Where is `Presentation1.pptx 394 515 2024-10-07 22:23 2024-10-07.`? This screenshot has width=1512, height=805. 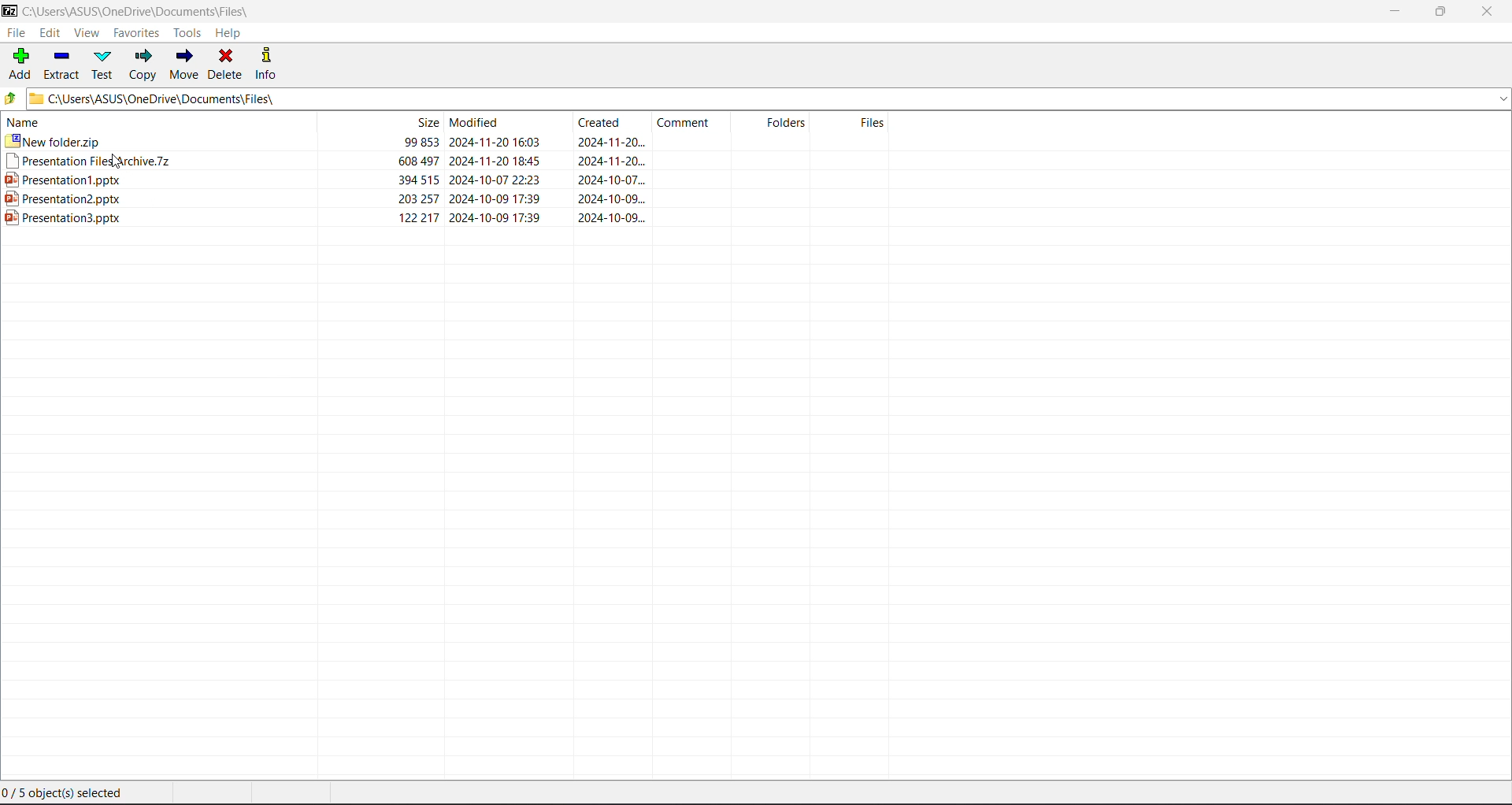
Presentation1.pptx 394 515 2024-10-07 22:23 2024-10-07. is located at coordinates (323, 178).